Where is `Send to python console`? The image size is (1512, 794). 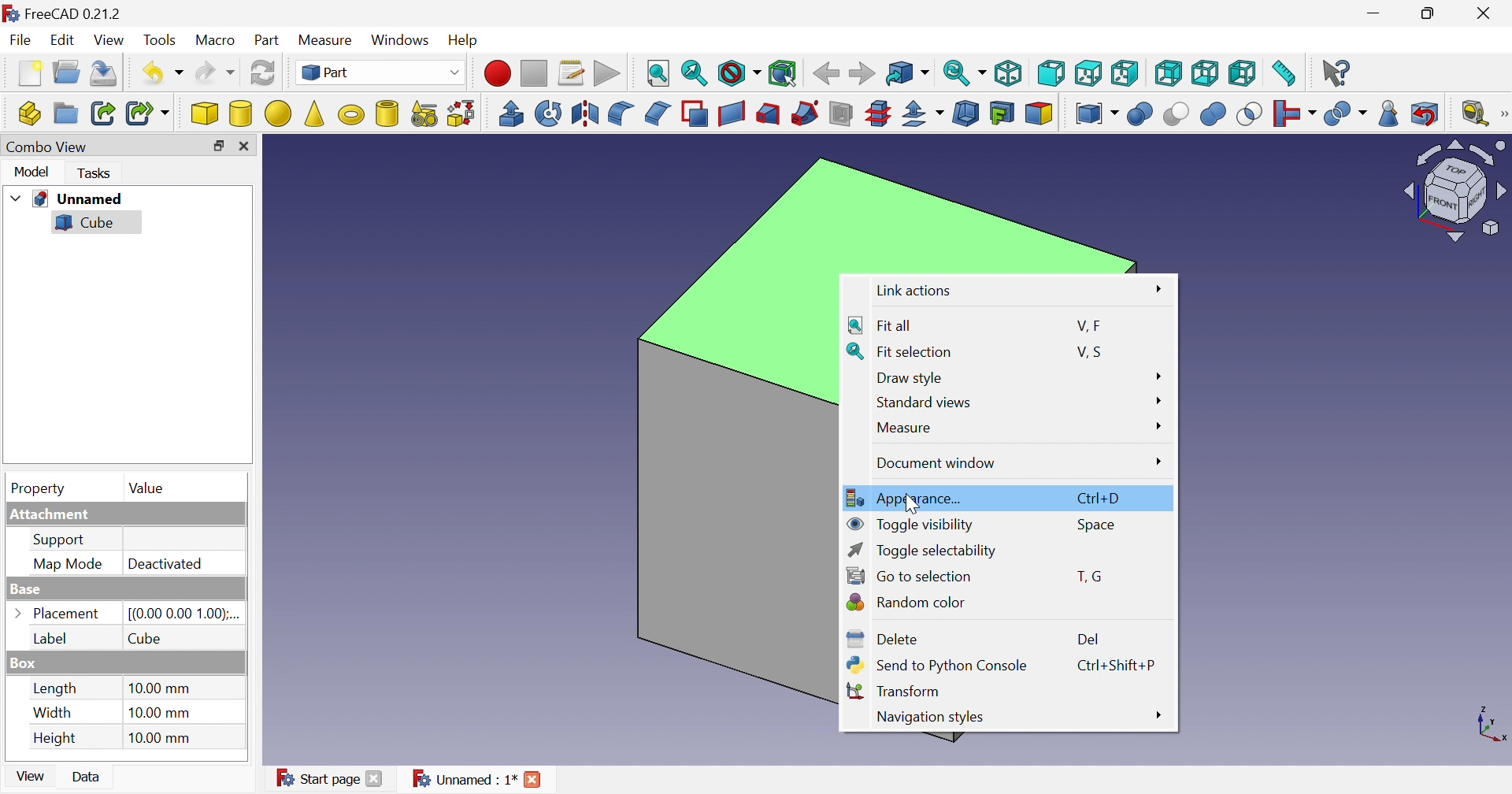 Send to python console is located at coordinates (936, 666).